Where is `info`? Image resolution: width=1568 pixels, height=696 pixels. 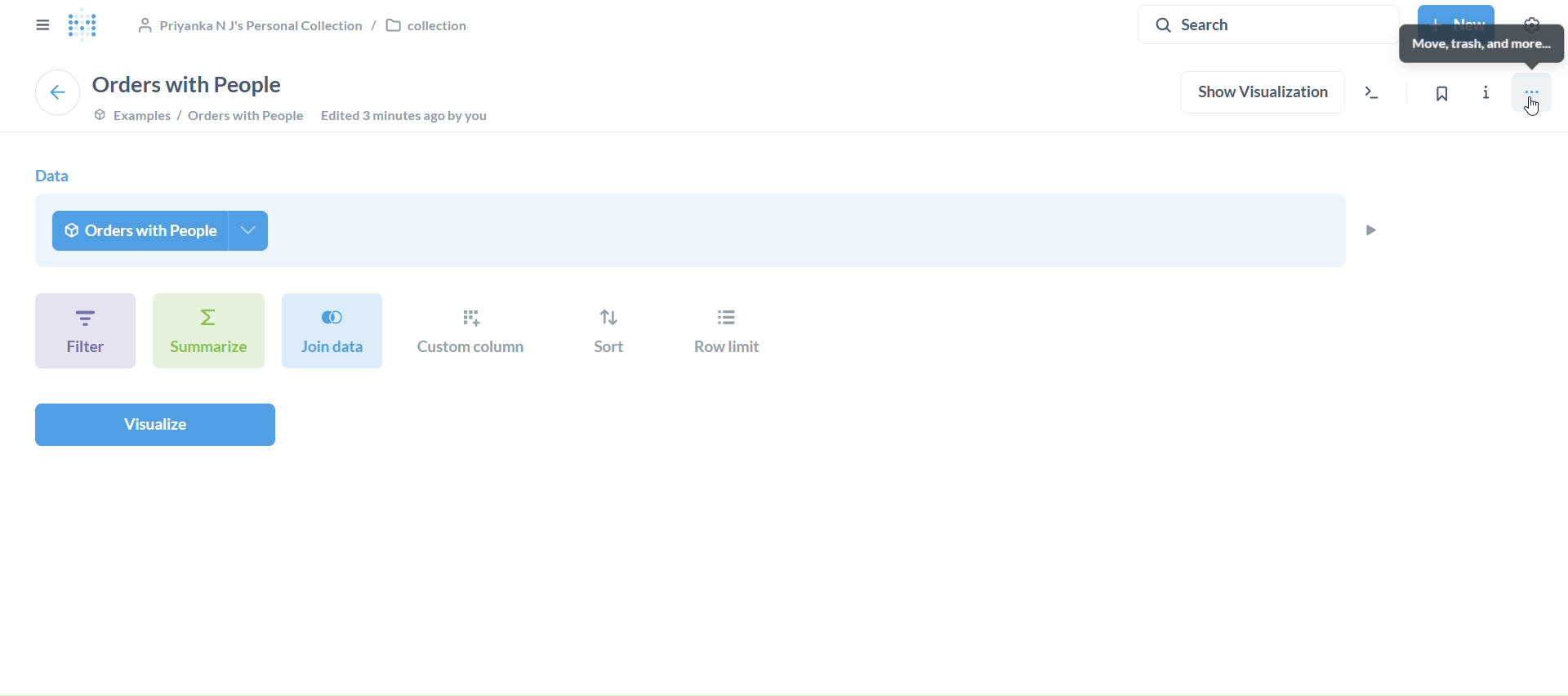
info is located at coordinates (1490, 90).